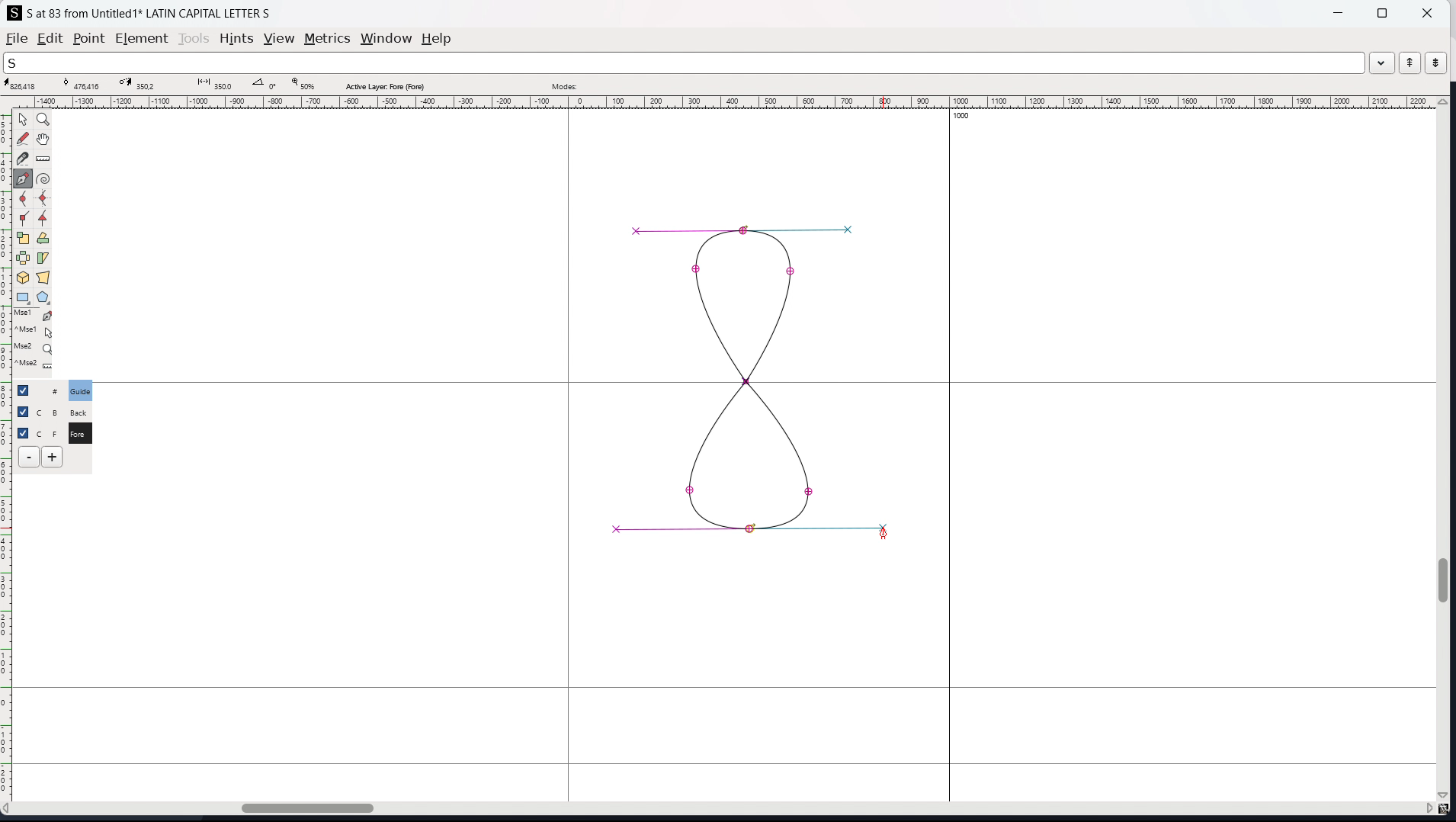  I want to click on search  the wordlist, so click(684, 63).